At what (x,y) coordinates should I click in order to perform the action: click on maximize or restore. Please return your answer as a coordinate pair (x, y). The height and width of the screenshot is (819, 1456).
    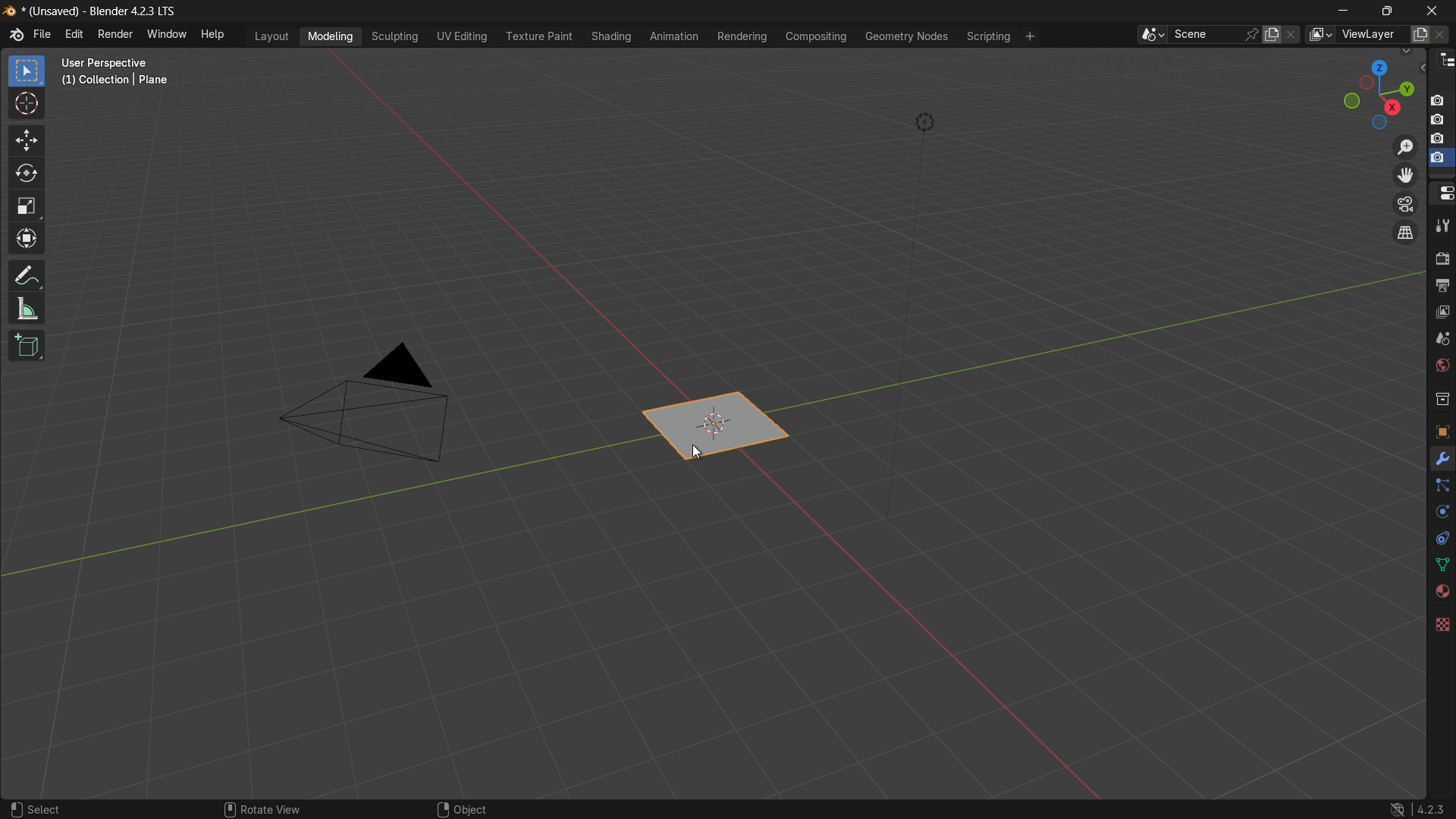
    Looking at the image, I should click on (1392, 11).